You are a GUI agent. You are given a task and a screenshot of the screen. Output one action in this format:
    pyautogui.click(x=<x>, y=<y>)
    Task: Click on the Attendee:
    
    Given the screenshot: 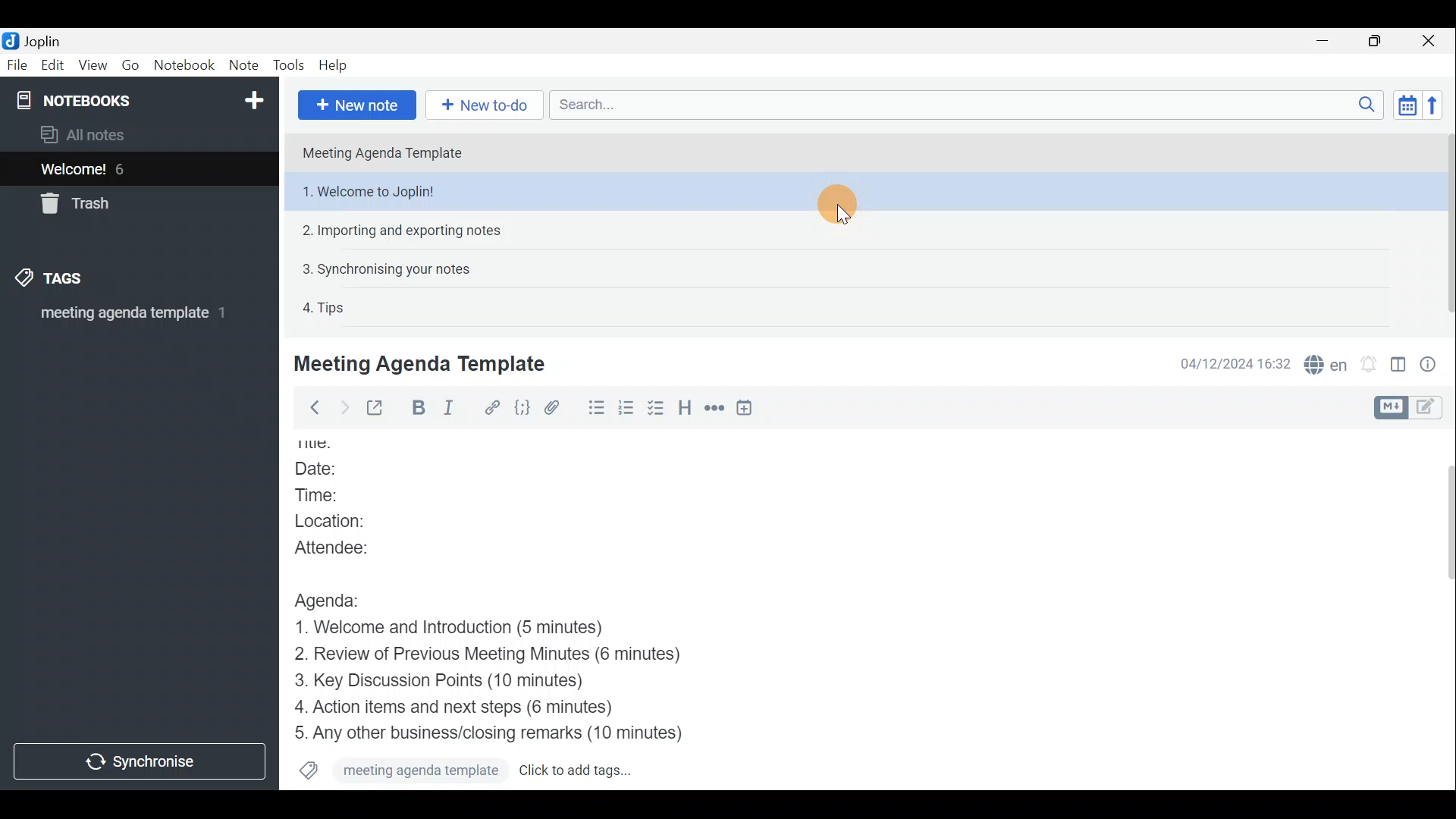 What is the action you would take?
    pyautogui.click(x=350, y=546)
    